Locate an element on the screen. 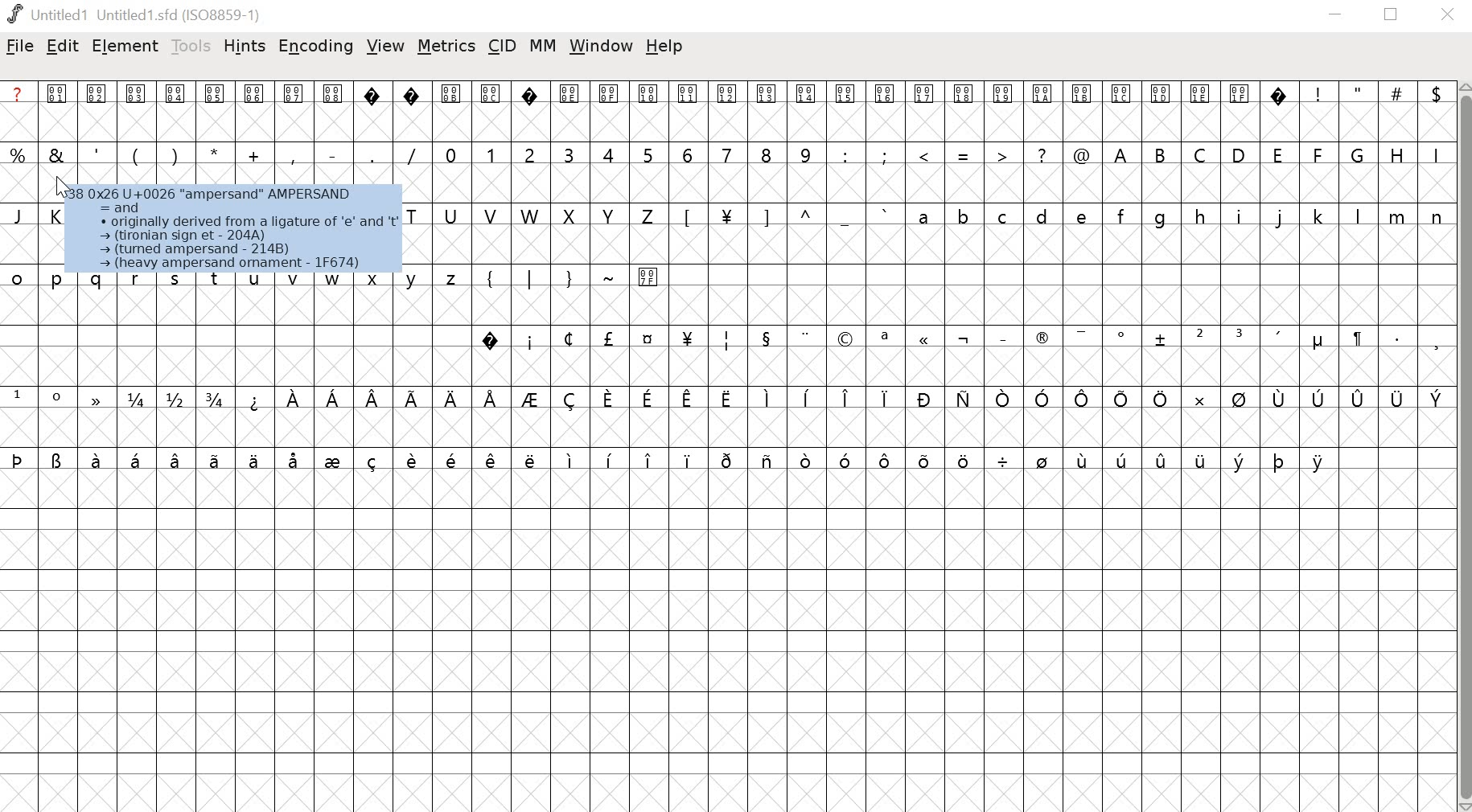 The height and width of the screenshot is (812, 1472). tools is located at coordinates (187, 45).